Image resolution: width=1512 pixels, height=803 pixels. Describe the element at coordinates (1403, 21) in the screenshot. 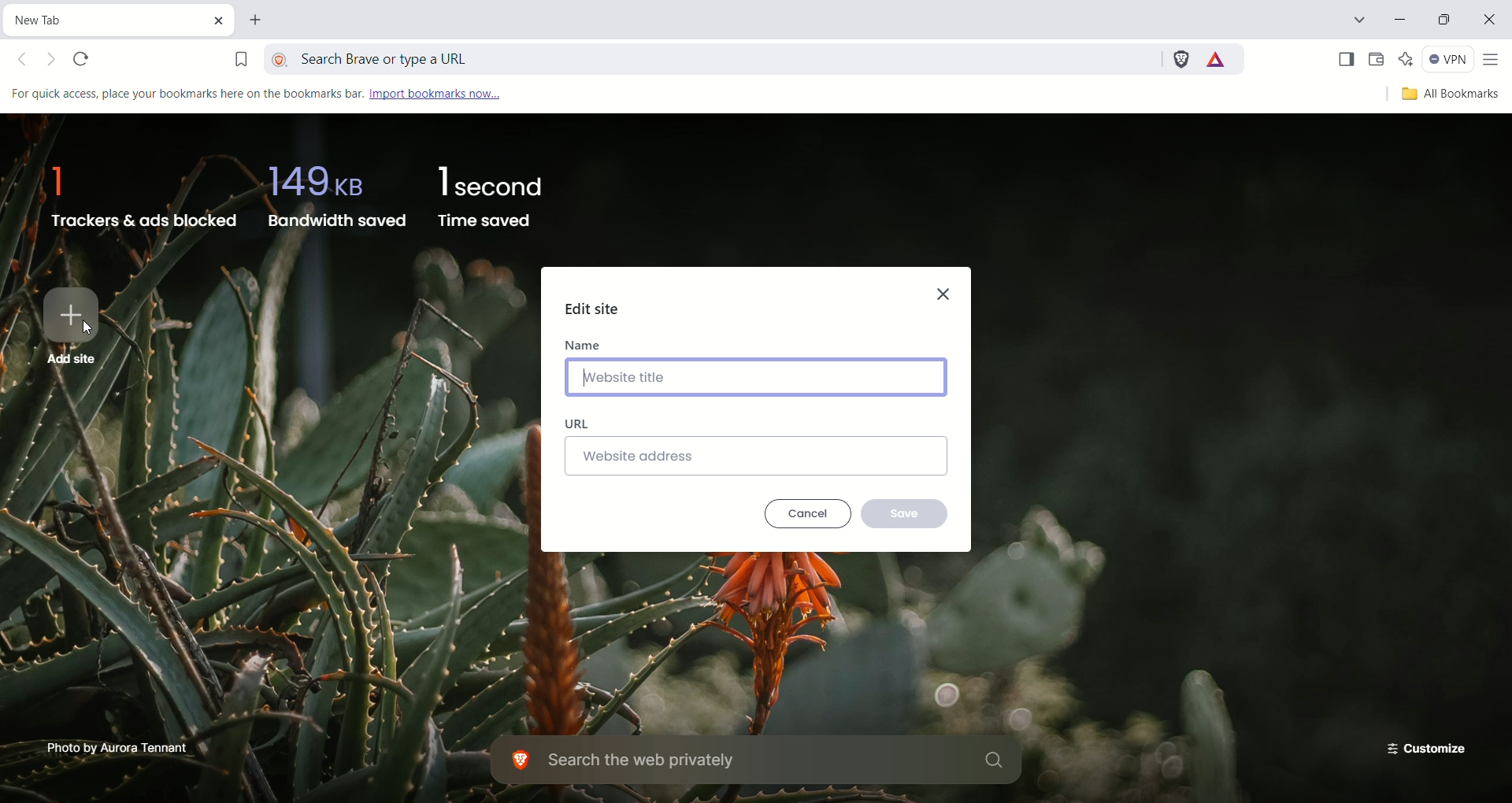

I see `minimize` at that location.